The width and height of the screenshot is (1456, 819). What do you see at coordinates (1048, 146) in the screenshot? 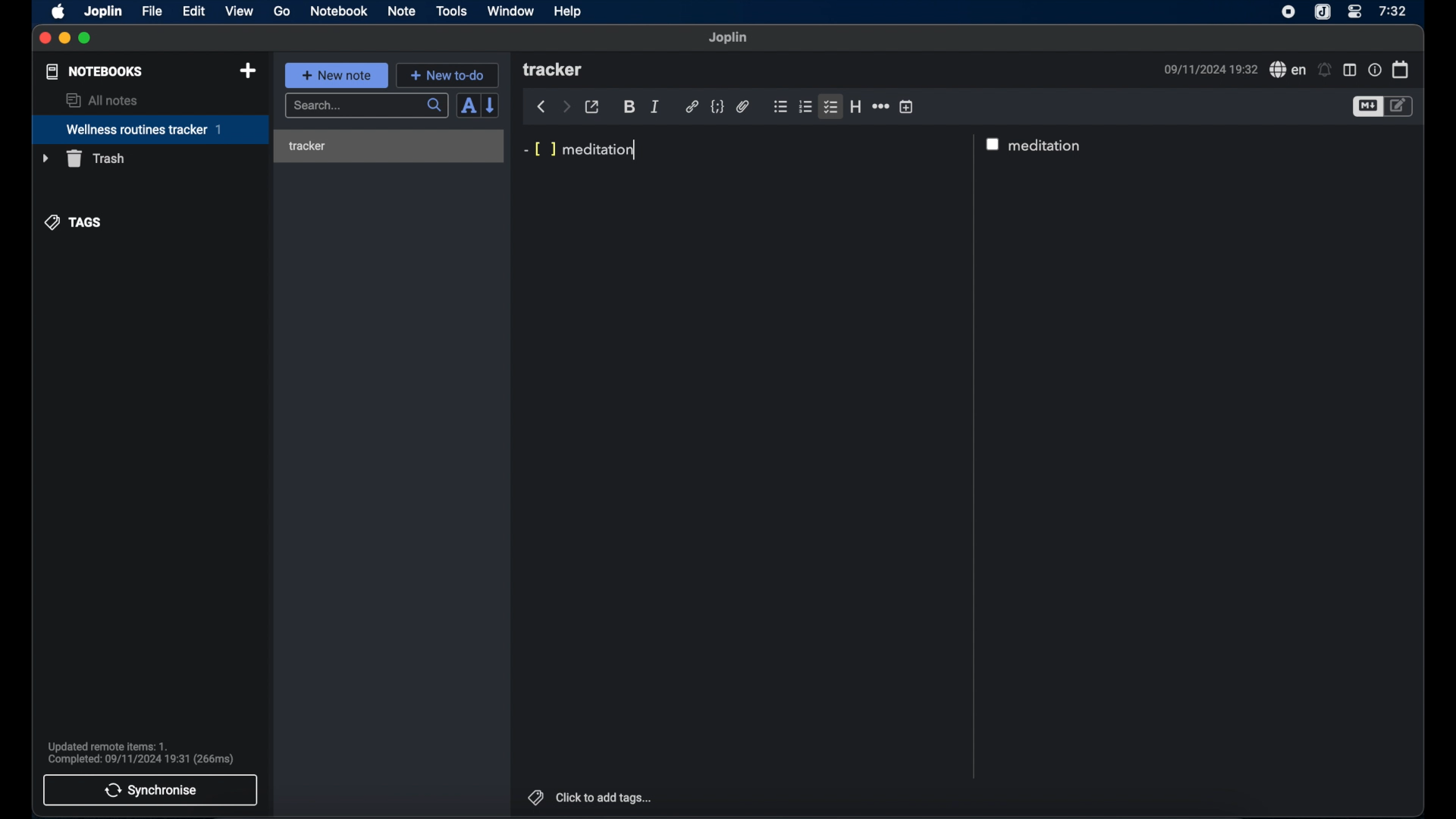
I see `meditation ` at bounding box center [1048, 146].